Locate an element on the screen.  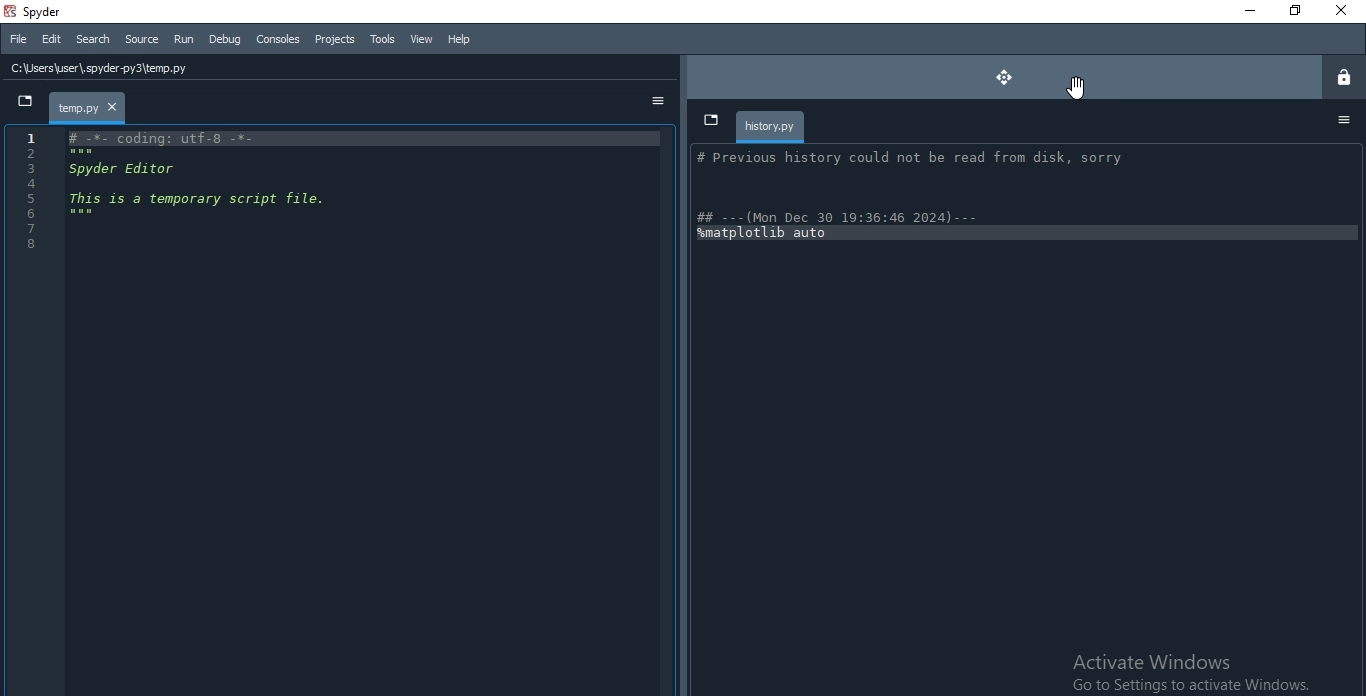
dropdown is located at coordinates (20, 101).